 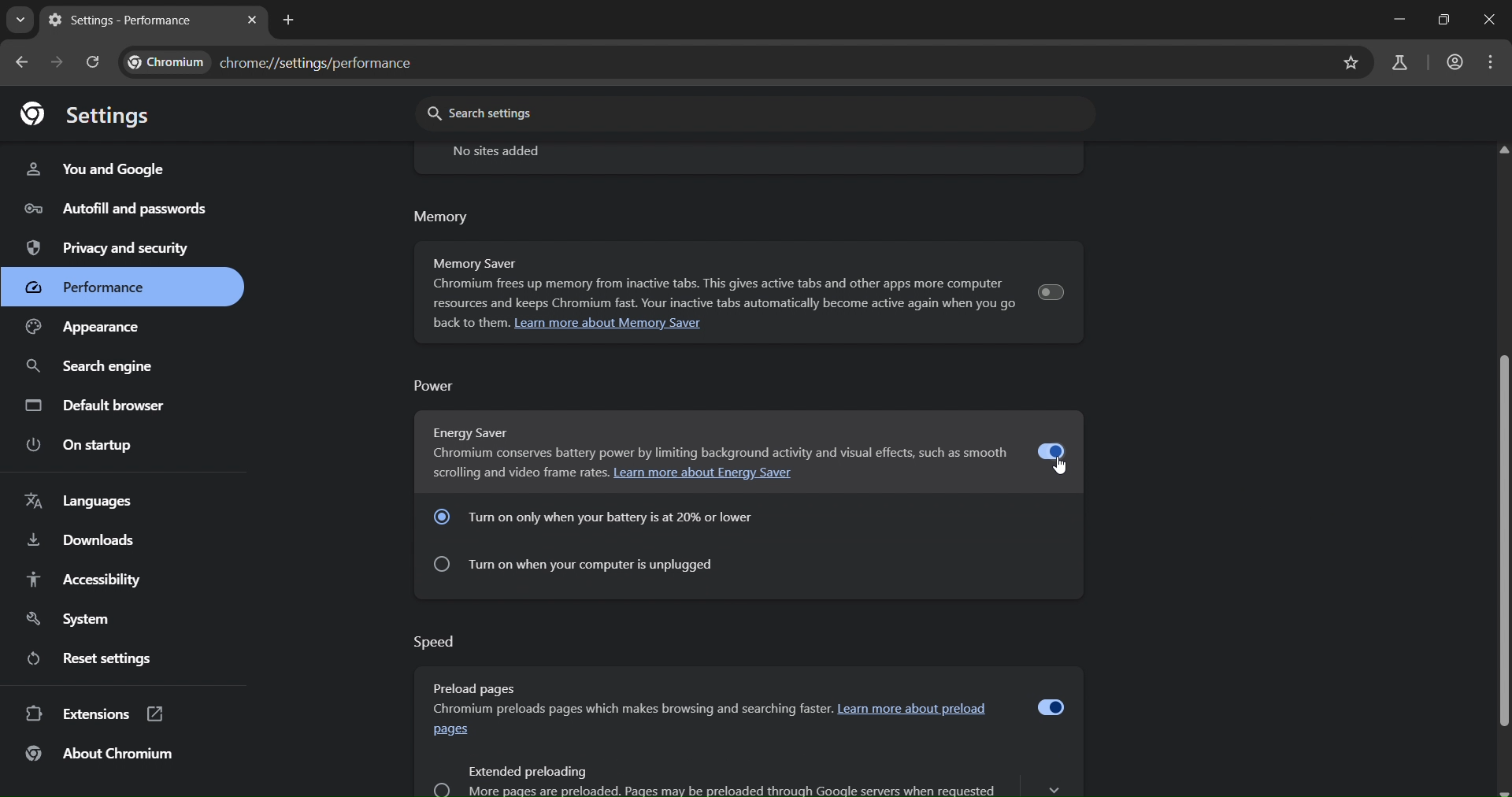 I want to click on about chromium, so click(x=119, y=754).